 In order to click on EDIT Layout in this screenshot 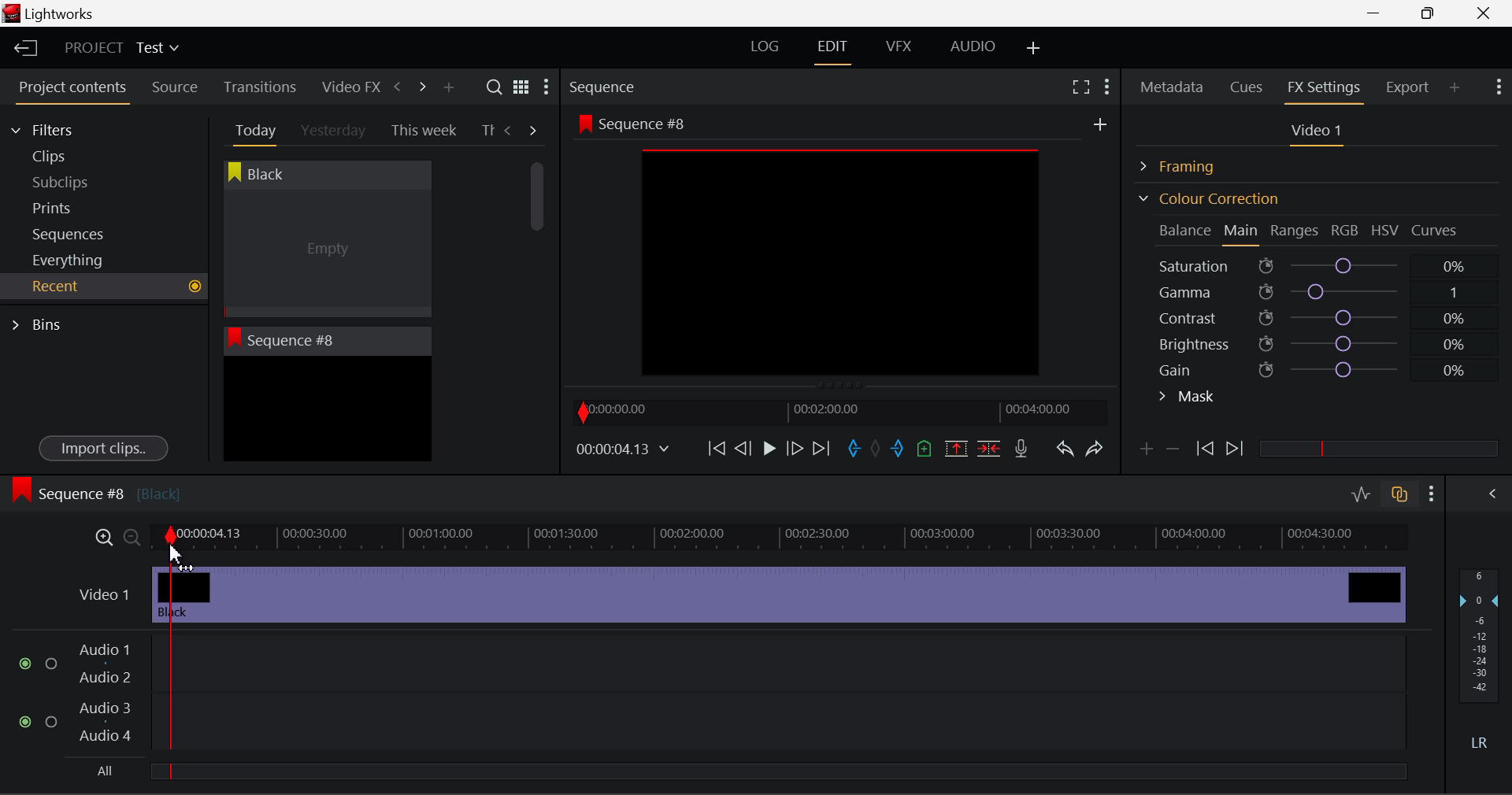, I will do `click(835, 50)`.